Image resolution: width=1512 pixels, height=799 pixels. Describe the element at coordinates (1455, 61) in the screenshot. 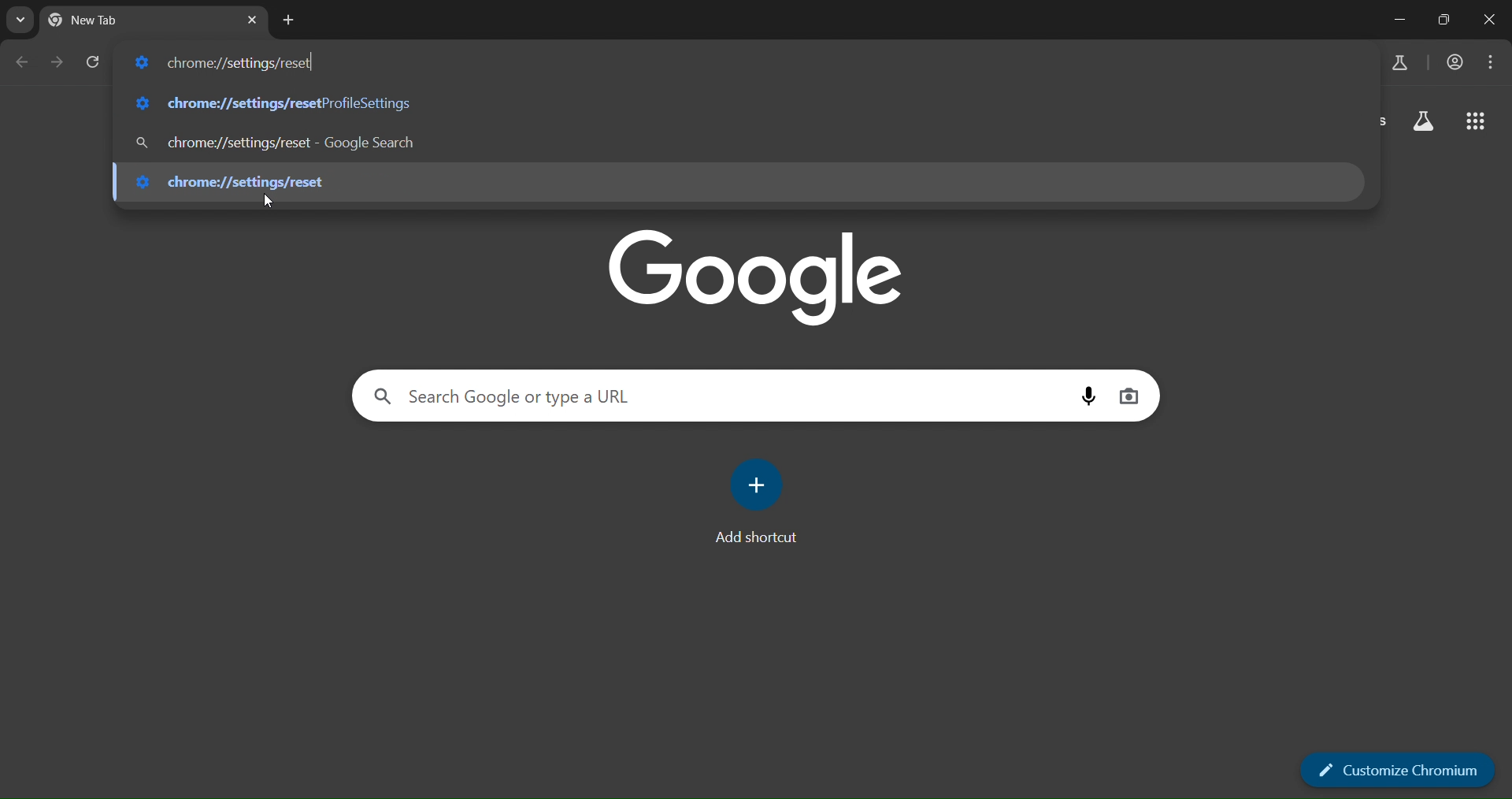

I see `accounts` at that location.